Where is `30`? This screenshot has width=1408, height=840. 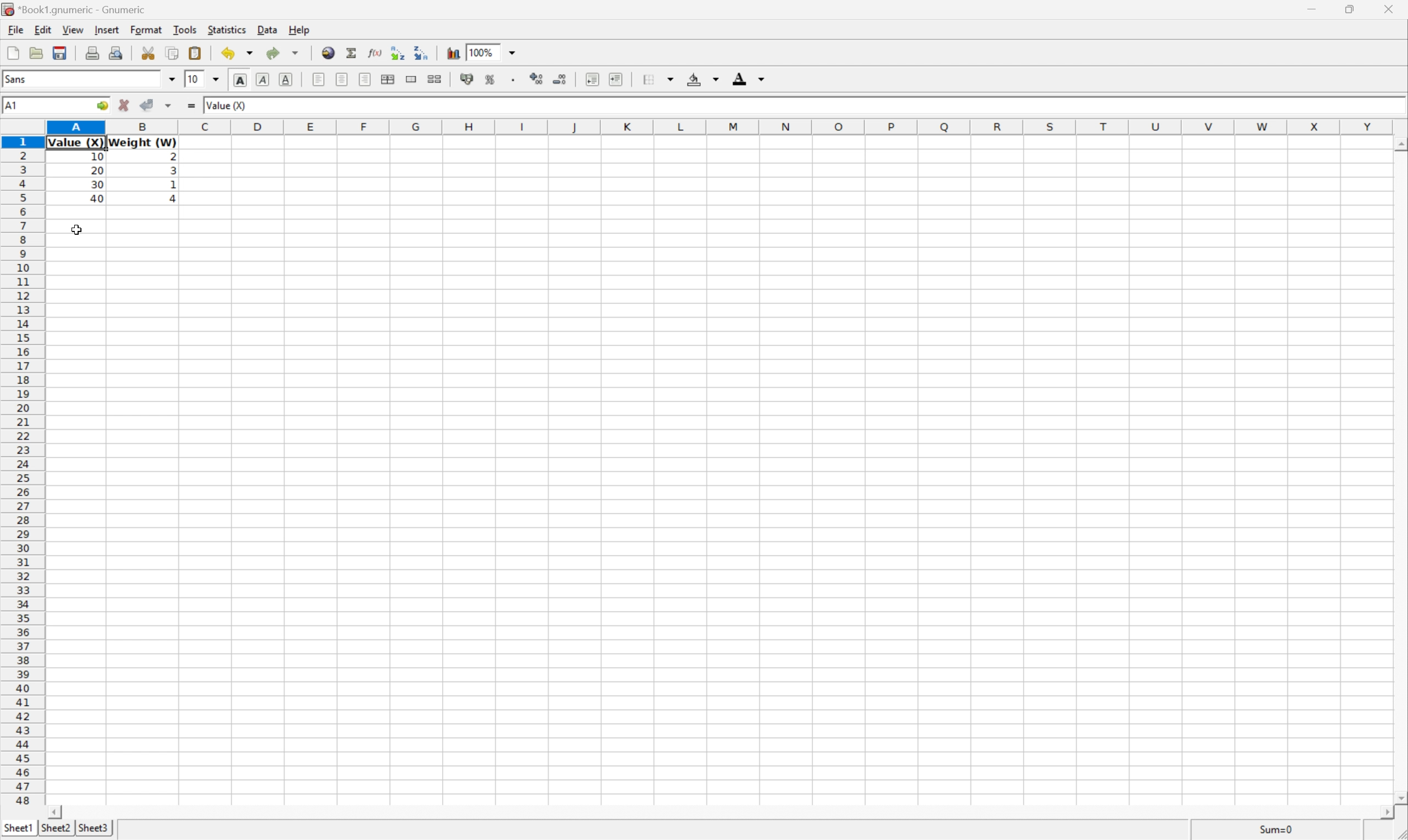 30 is located at coordinates (98, 185).